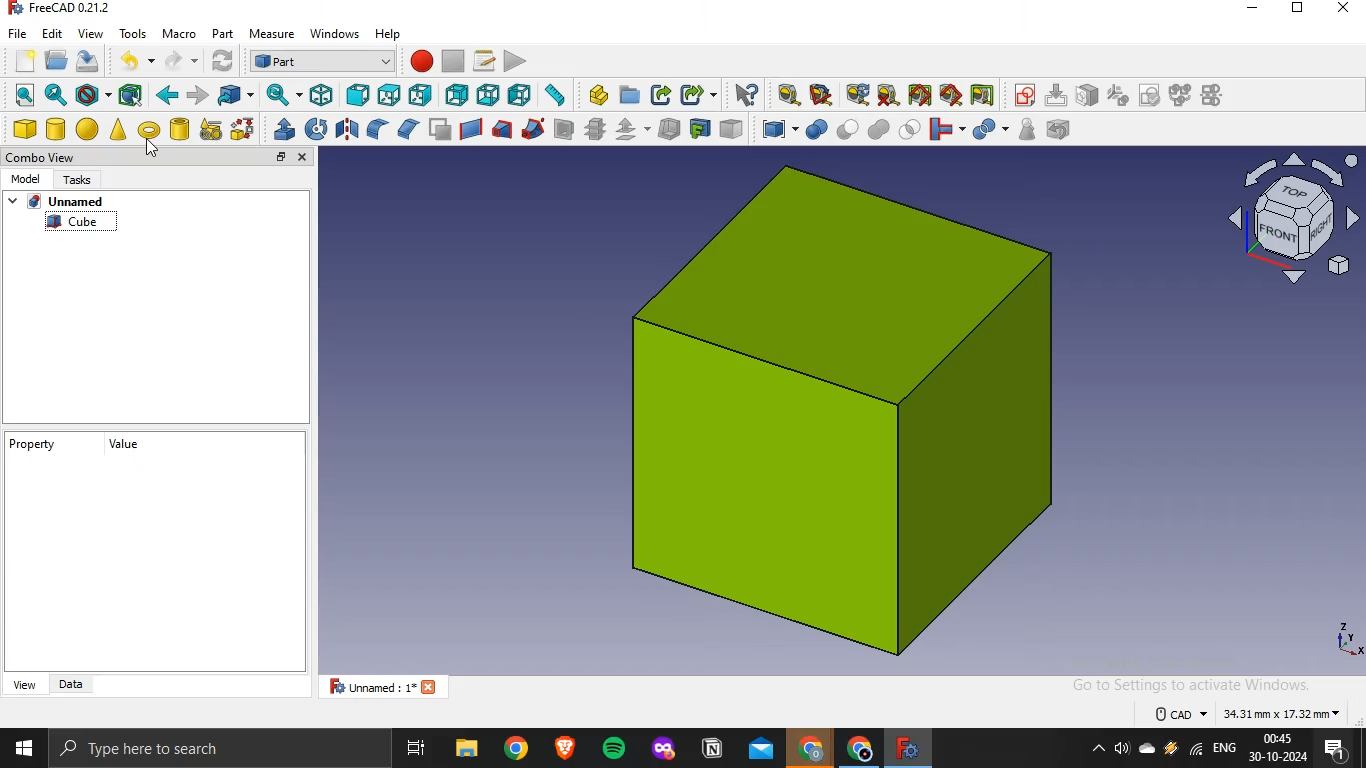  Describe the element at coordinates (85, 179) in the screenshot. I see `tasks` at that location.